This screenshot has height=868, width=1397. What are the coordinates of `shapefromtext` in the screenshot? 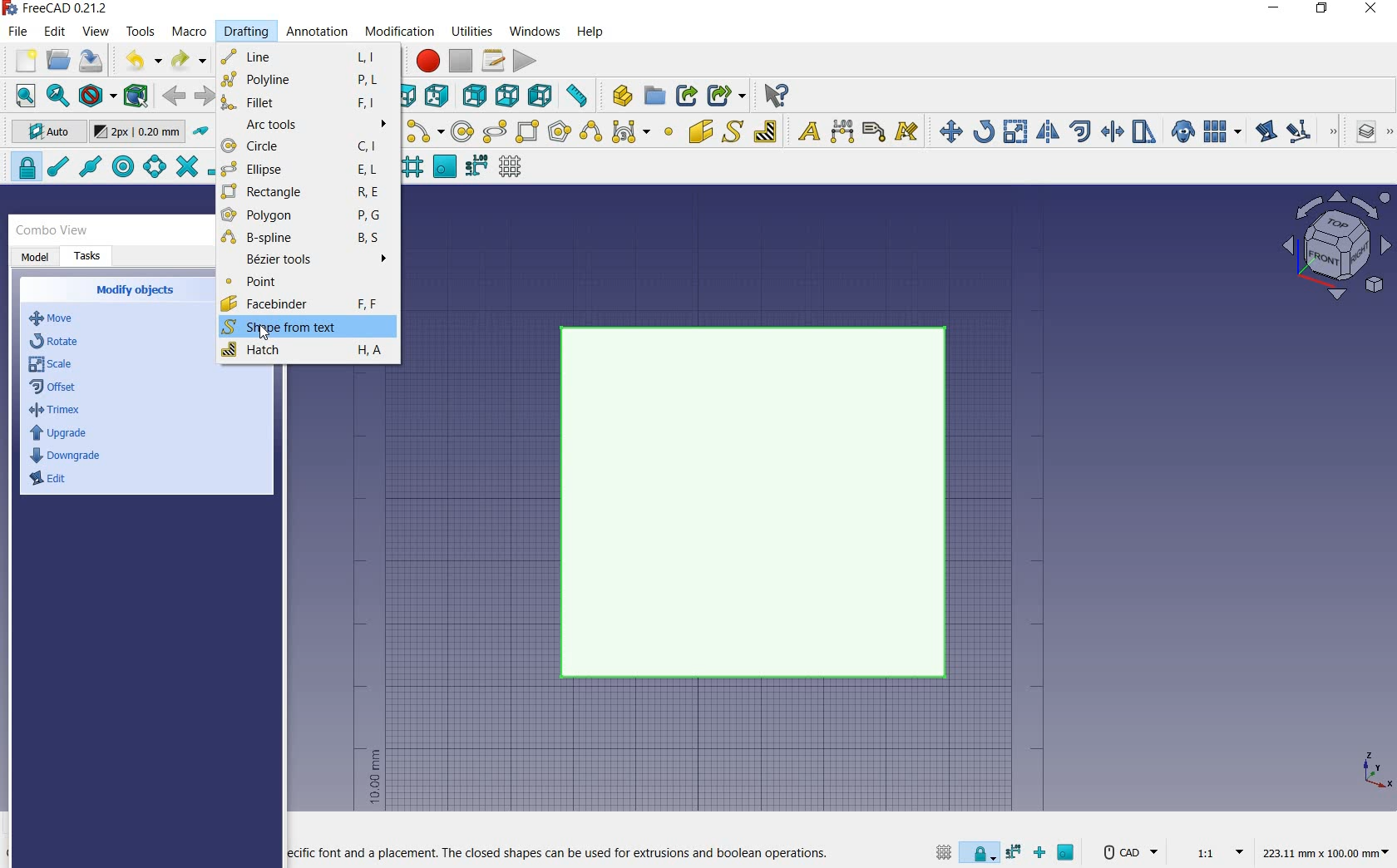 It's located at (290, 328).